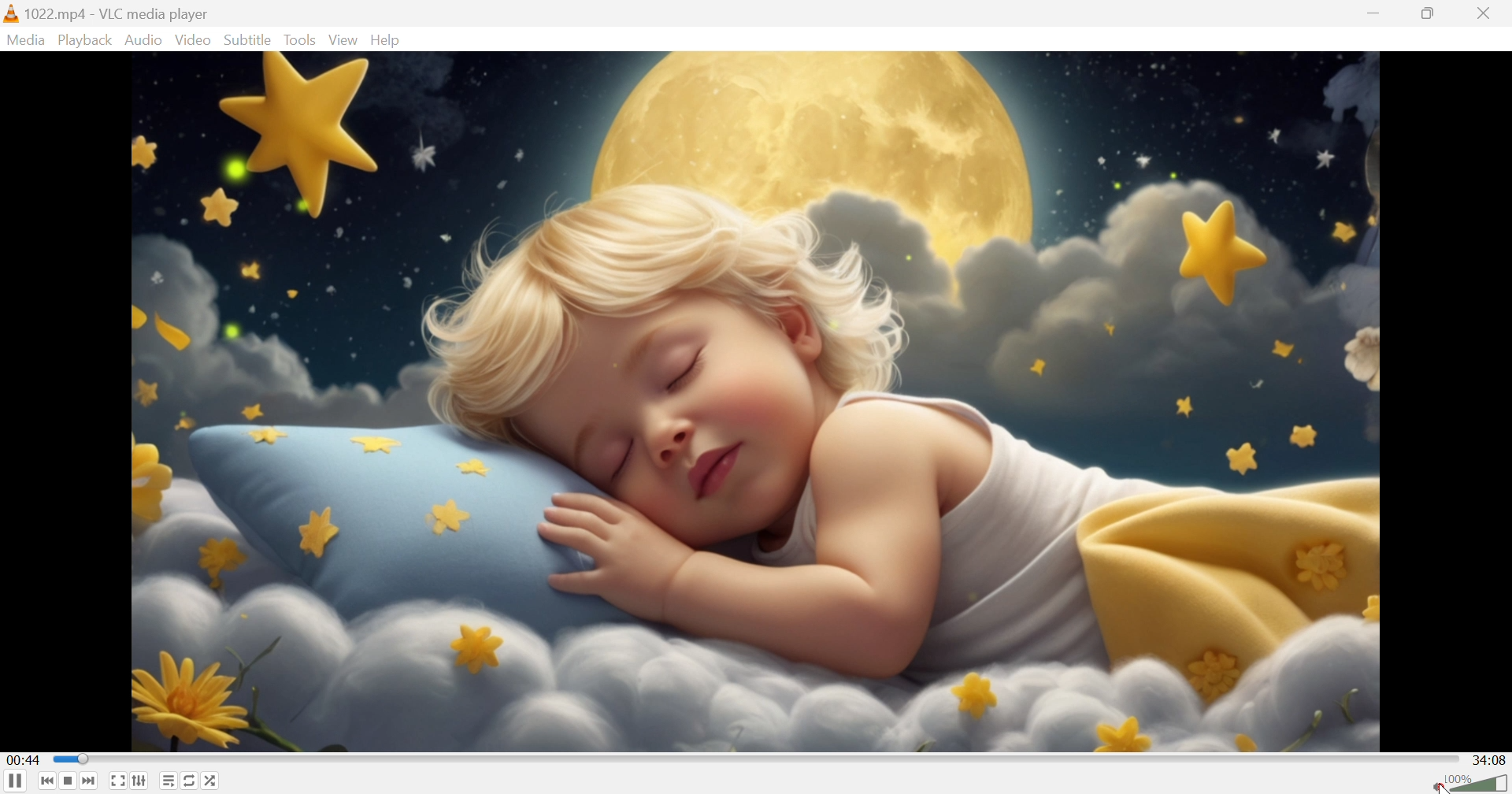  What do you see at coordinates (213, 783) in the screenshot?
I see `Random` at bounding box center [213, 783].